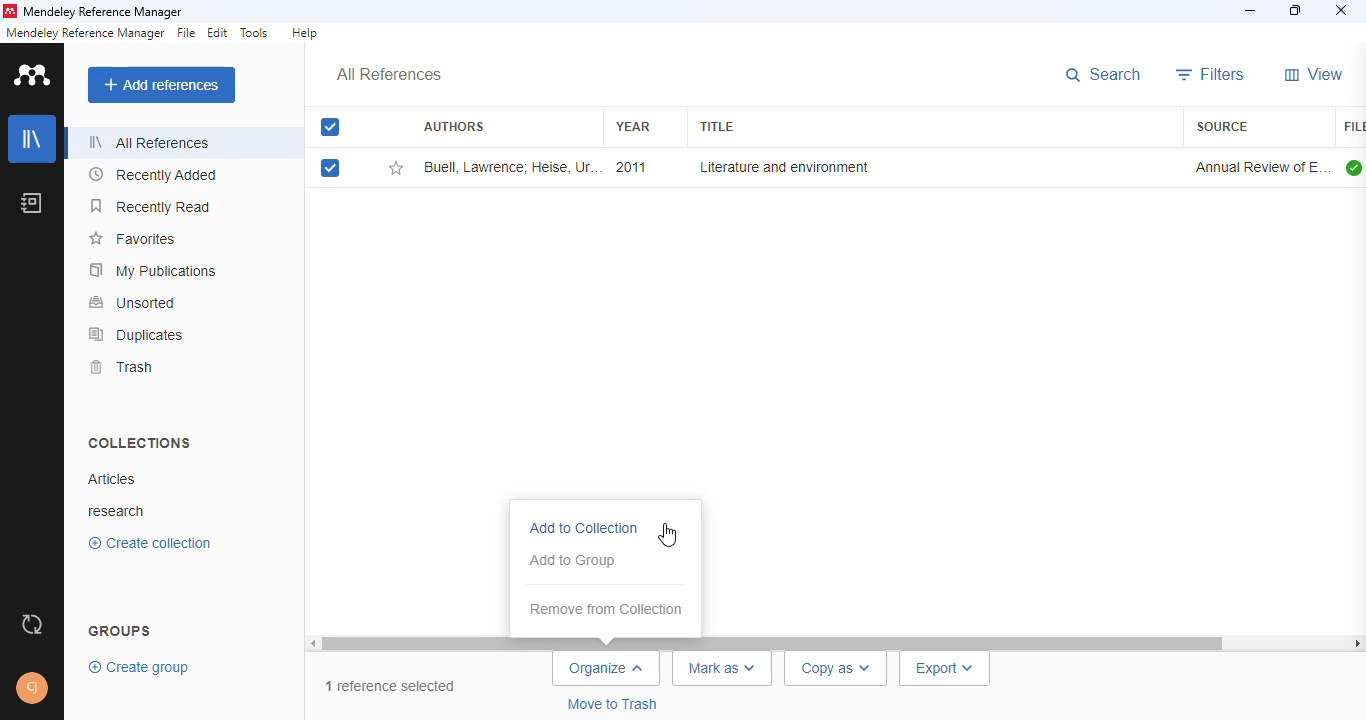 Image resolution: width=1366 pixels, height=720 pixels. Describe the element at coordinates (945, 669) in the screenshot. I see `export` at that location.